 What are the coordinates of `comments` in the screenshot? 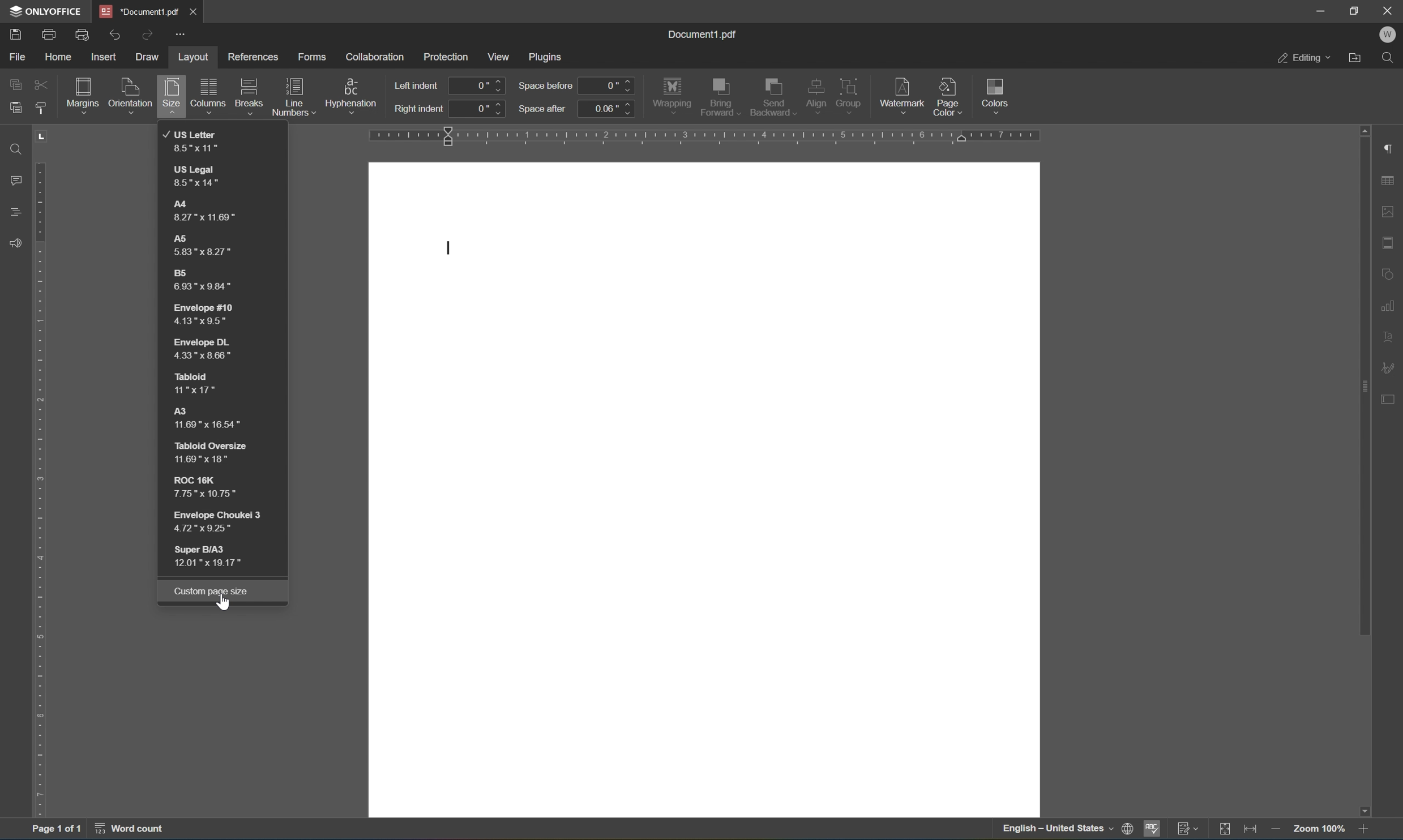 It's located at (13, 181).